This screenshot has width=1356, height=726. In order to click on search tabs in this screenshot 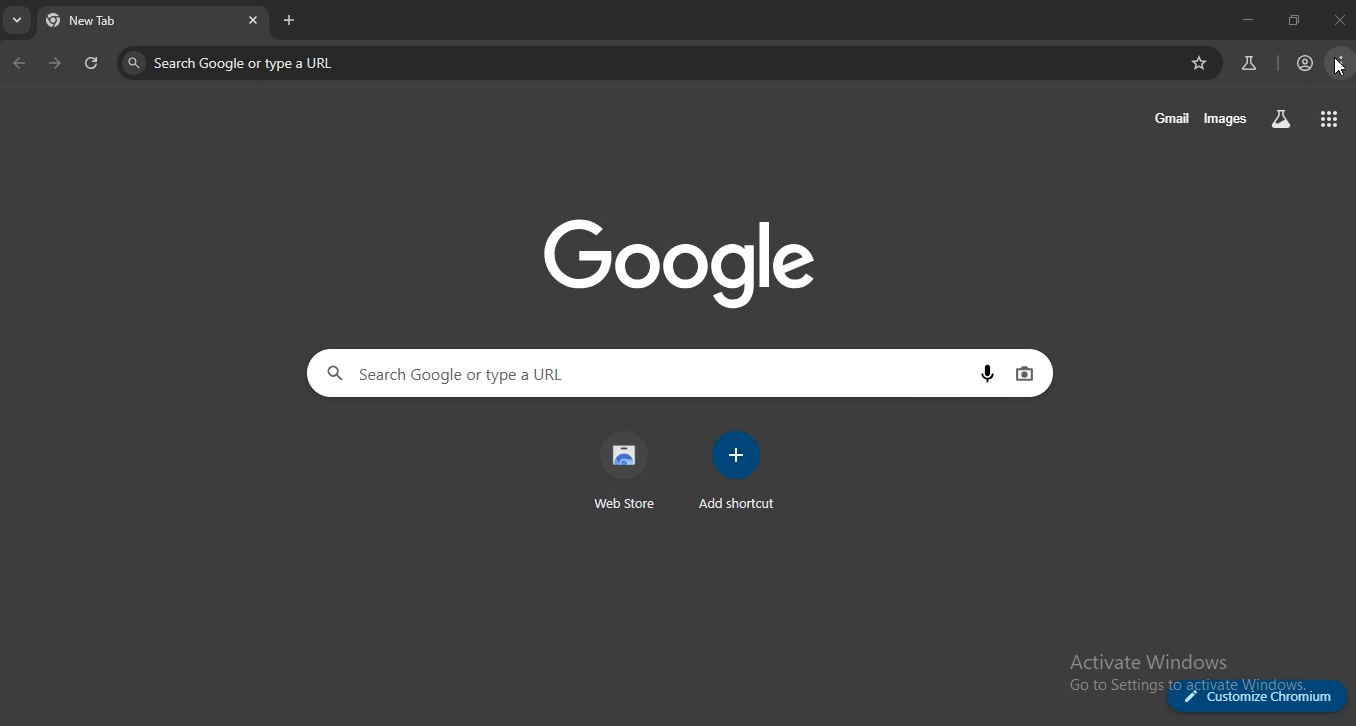, I will do `click(19, 23)`.